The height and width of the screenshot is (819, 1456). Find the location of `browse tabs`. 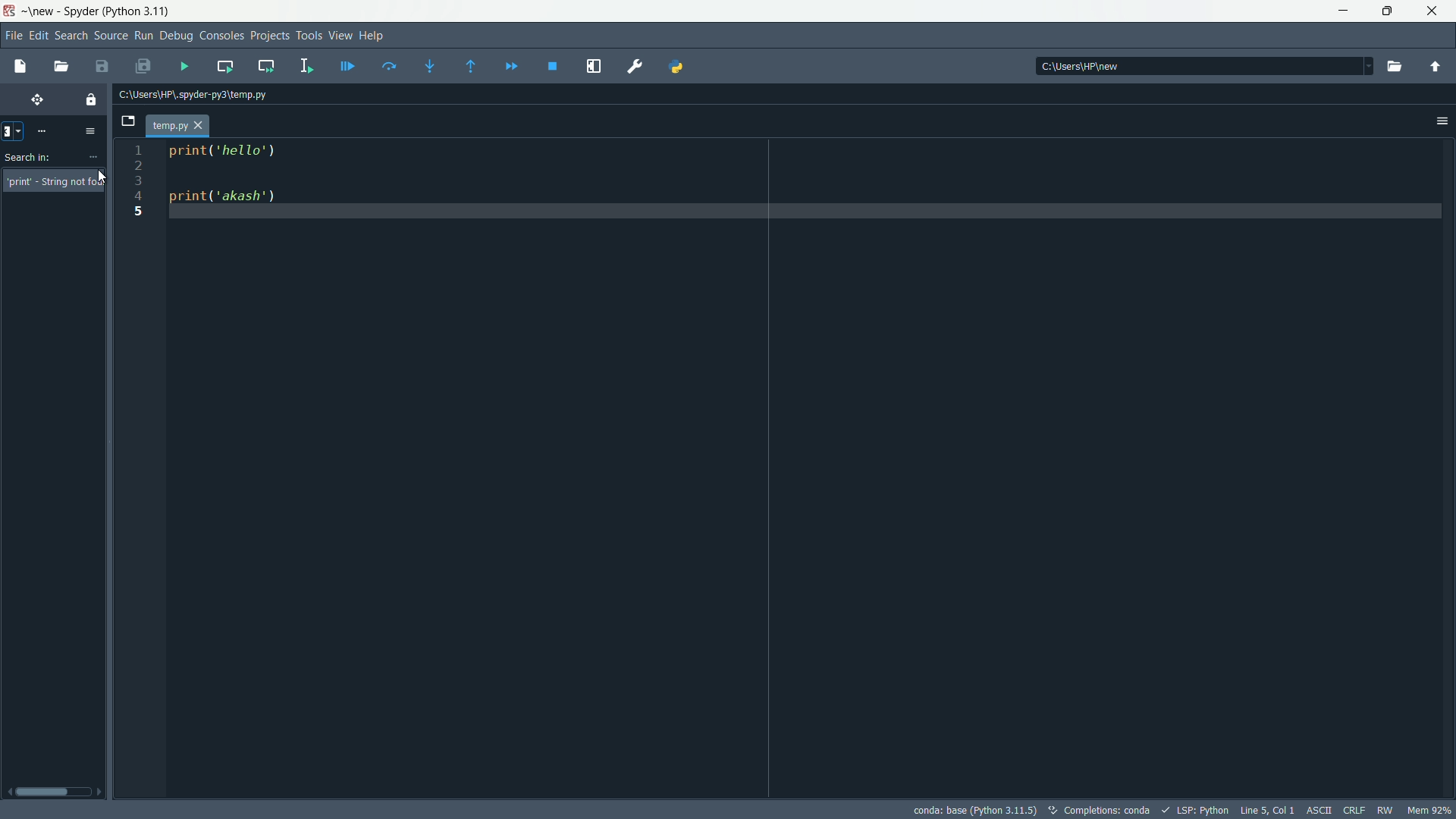

browse tabs is located at coordinates (129, 123).